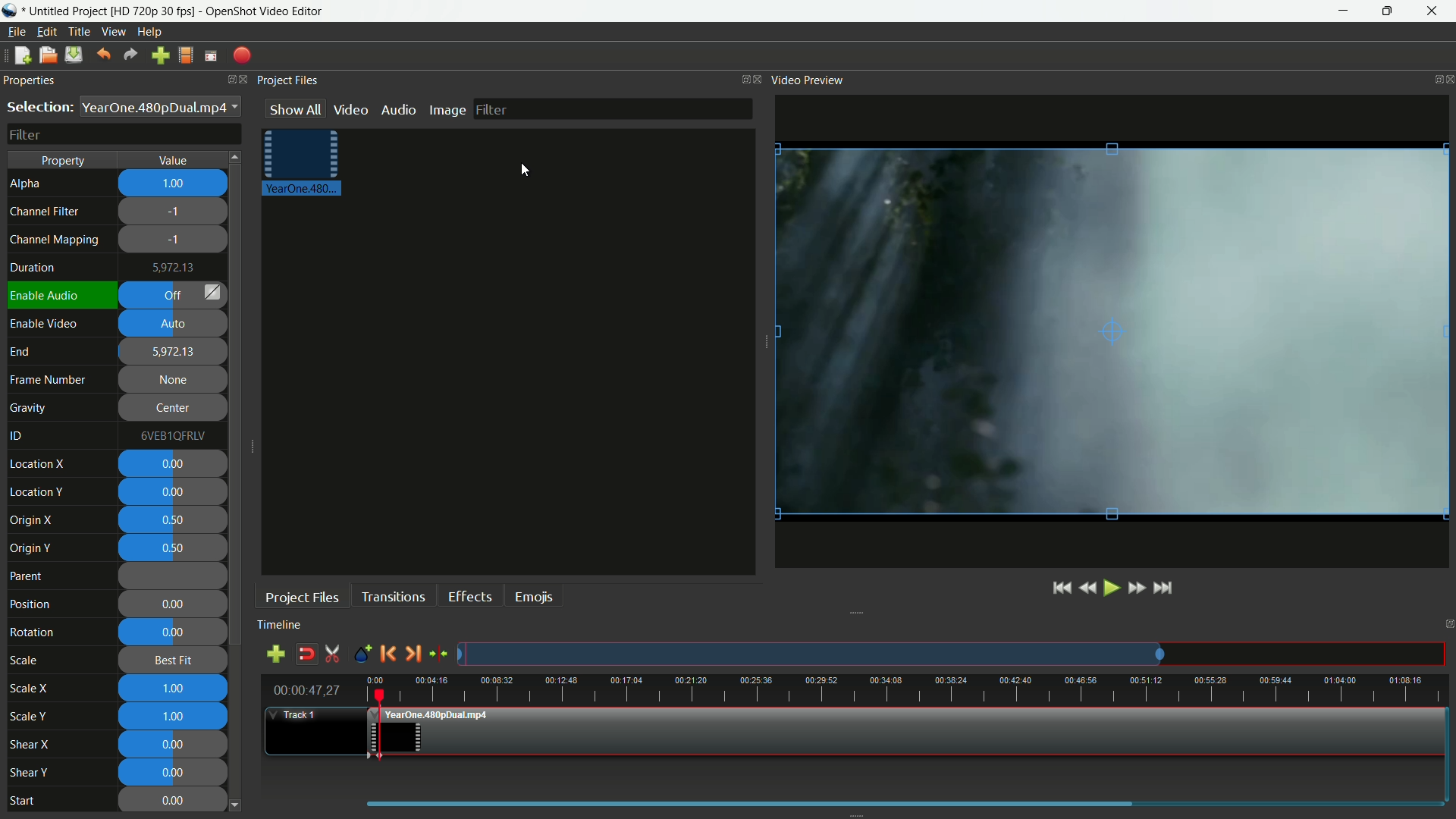 This screenshot has height=819, width=1456. What do you see at coordinates (19, 437) in the screenshot?
I see `id` at bounding box center [19, 437].